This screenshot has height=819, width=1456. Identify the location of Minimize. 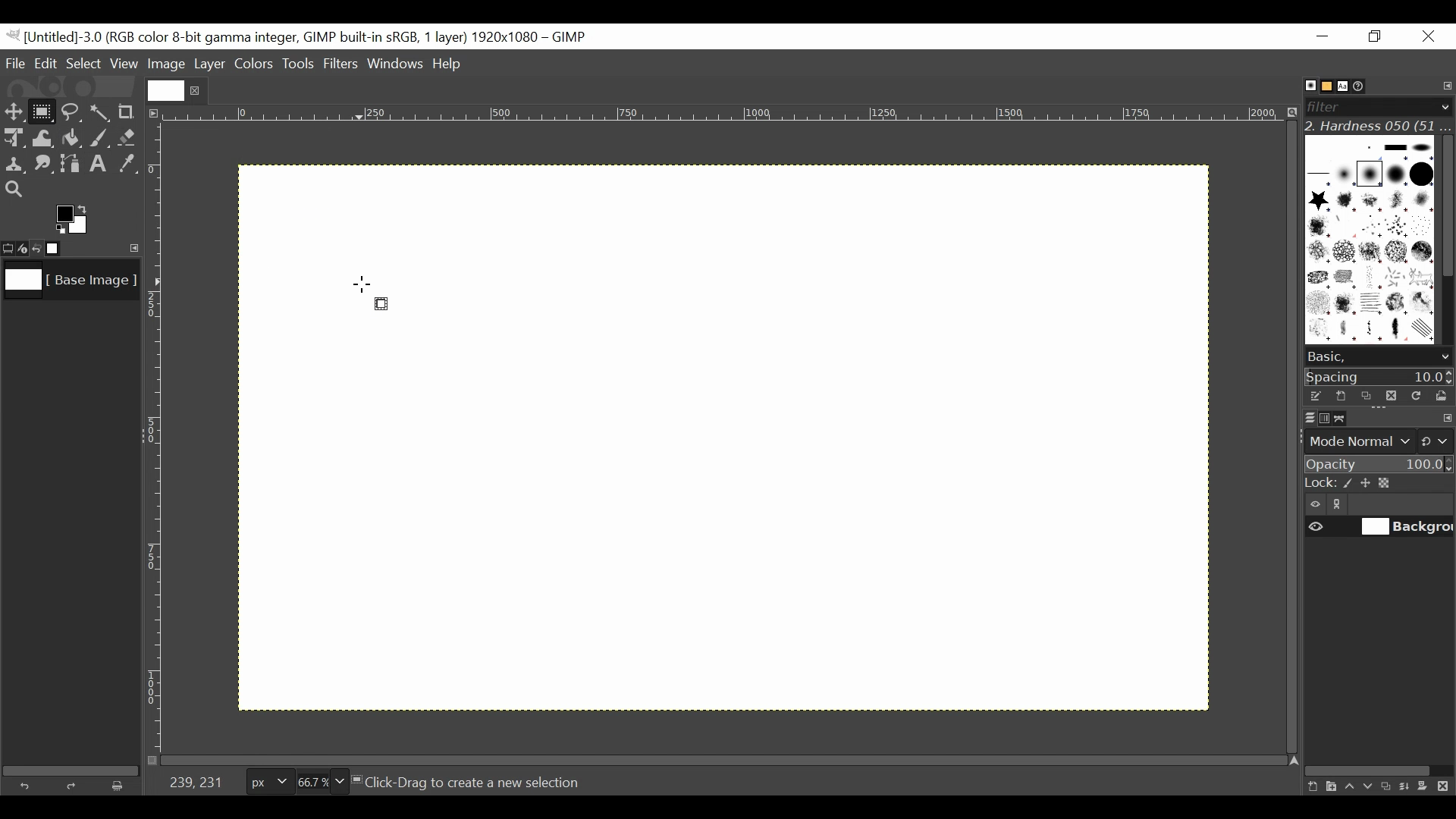
(1323, 36).